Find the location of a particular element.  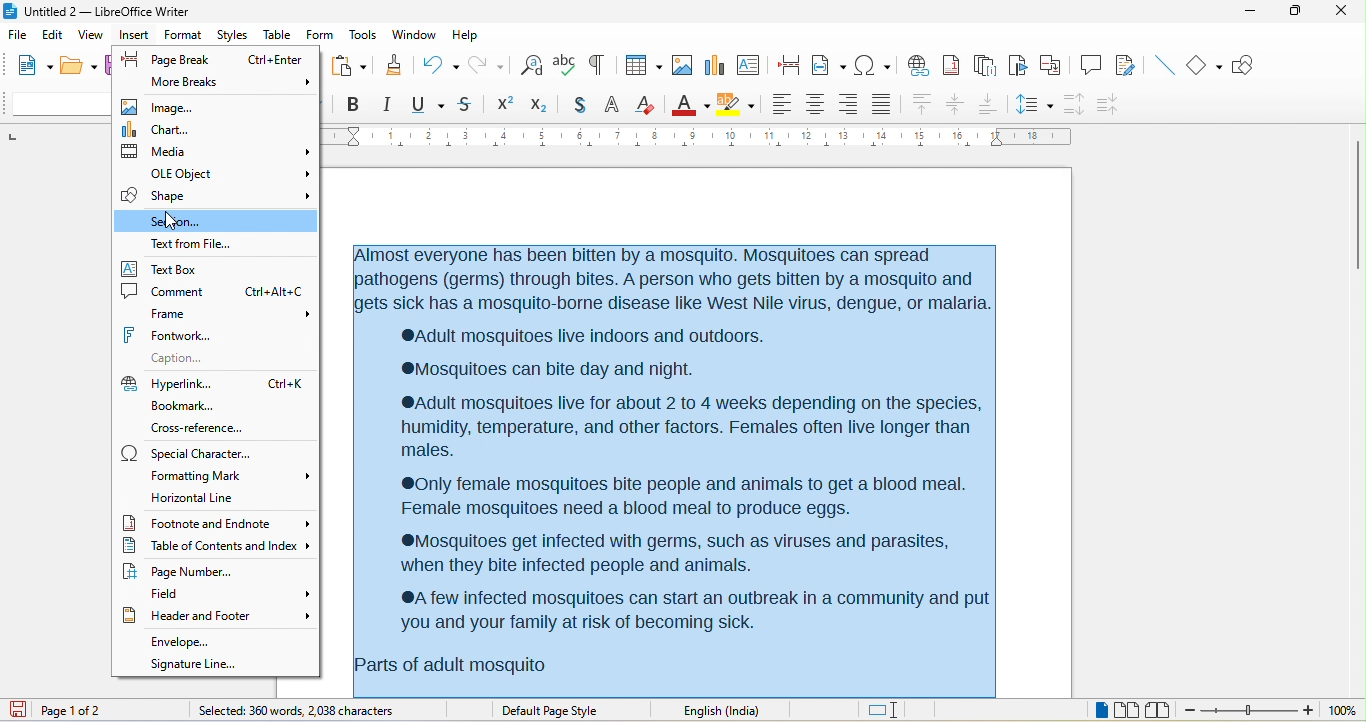

ruler is located at coordinates (716, 138).